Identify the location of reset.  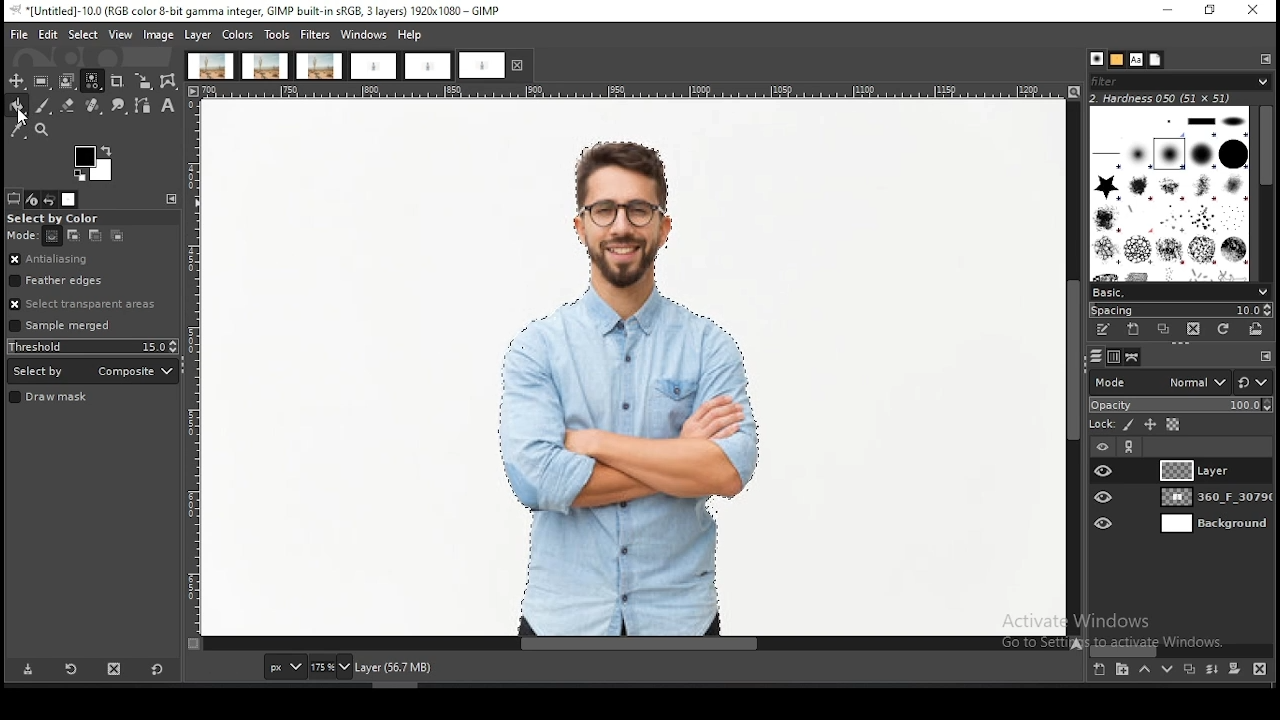
(157, 667).